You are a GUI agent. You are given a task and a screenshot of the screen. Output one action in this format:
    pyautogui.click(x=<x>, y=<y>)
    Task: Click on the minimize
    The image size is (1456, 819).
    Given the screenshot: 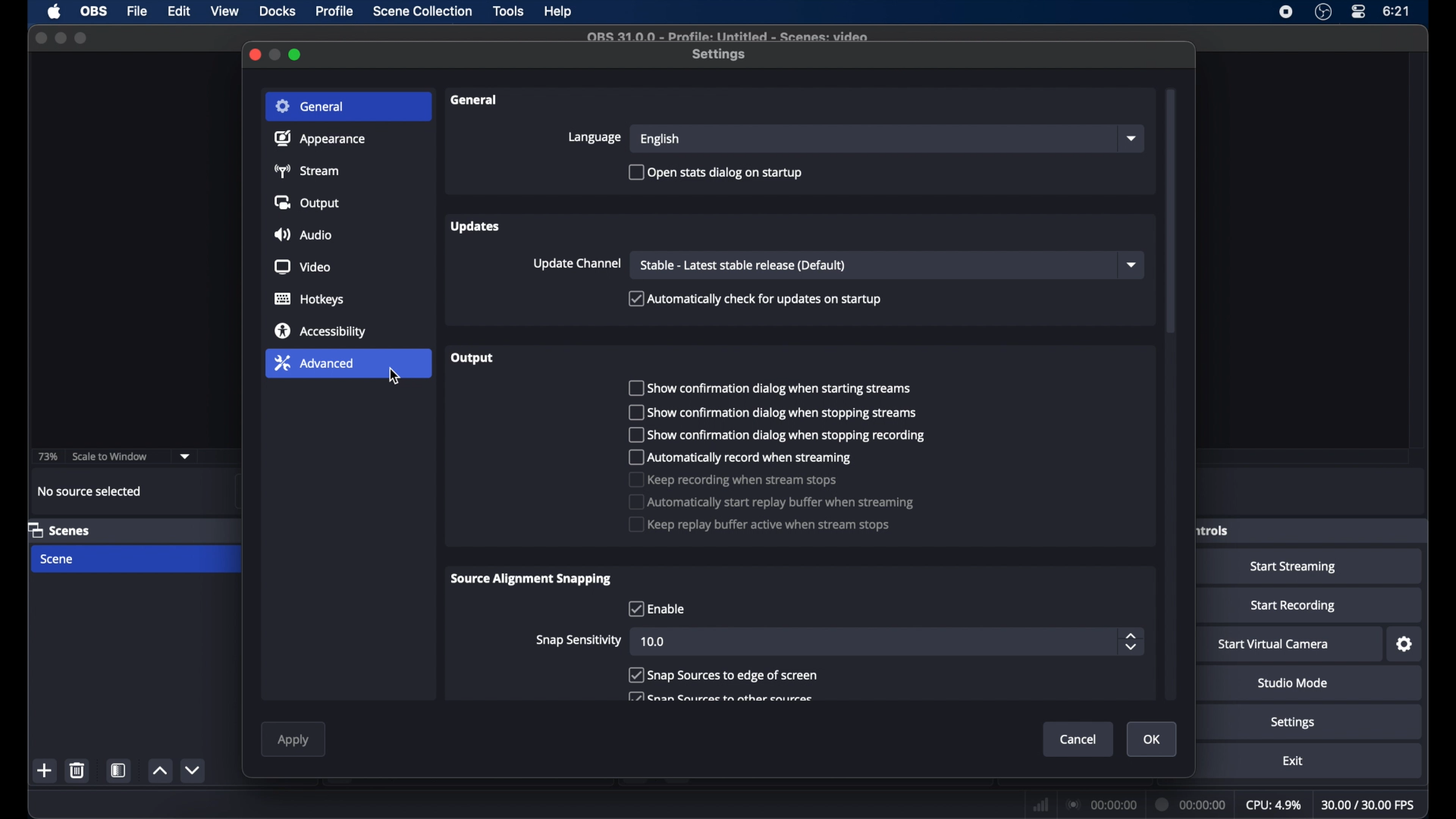 What is the action you would take?
    pyautogui.click(x=60, y=38)
    